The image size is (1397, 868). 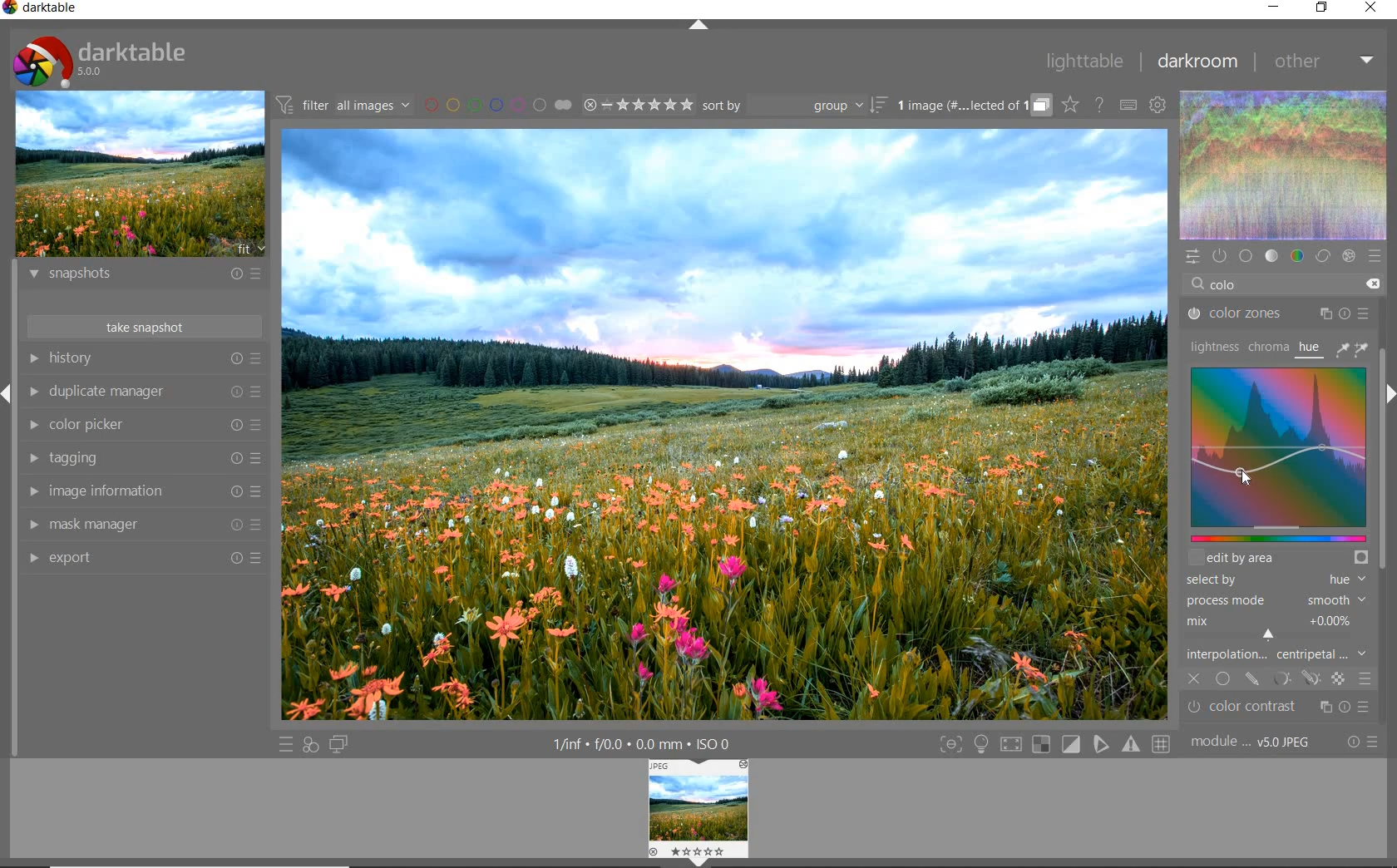 What do you see at coordinates (1355, 348) in the screenshot?
I see `picker tools` at bounding box center [1355, 348].